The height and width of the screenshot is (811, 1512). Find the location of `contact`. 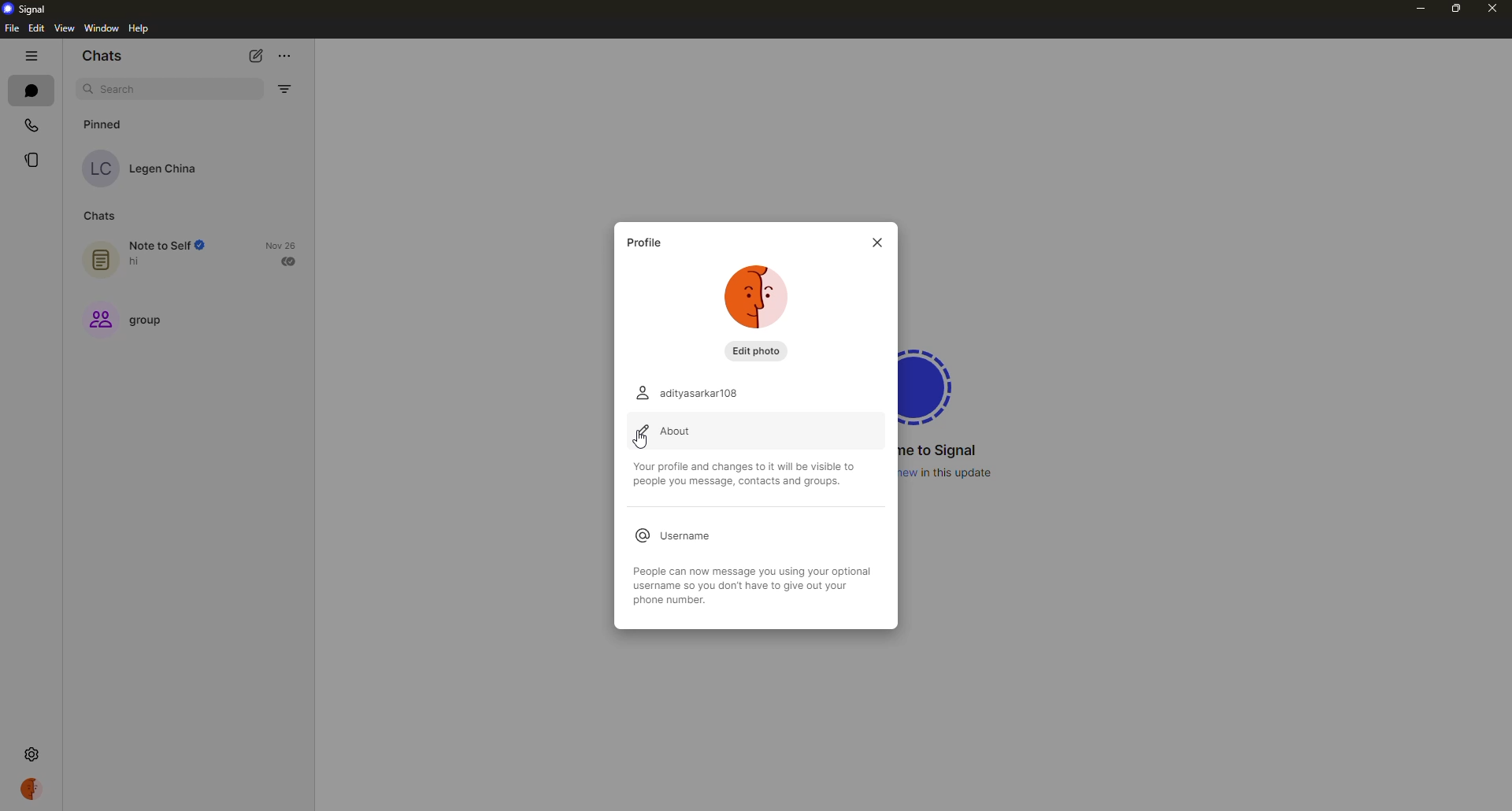

contact is located at coordinates (144, 168).